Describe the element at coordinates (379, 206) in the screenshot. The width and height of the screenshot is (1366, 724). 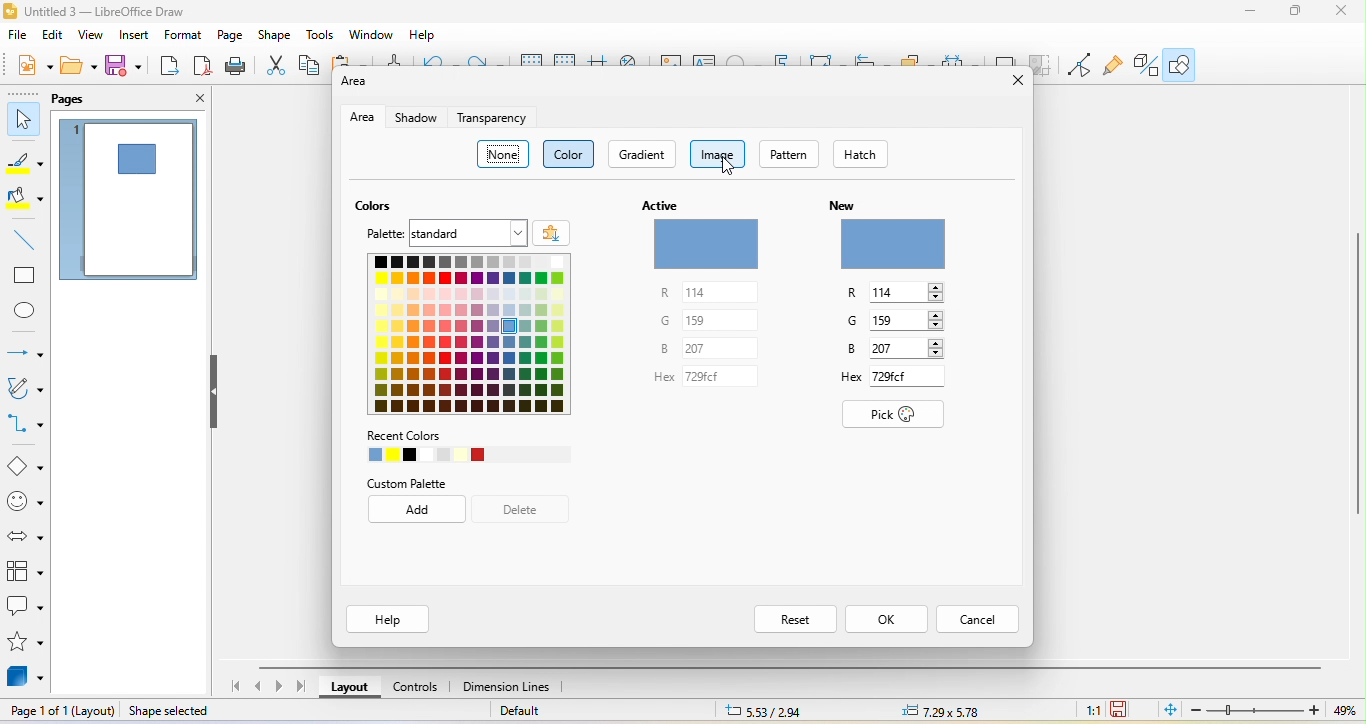
I see `colors` at that location.